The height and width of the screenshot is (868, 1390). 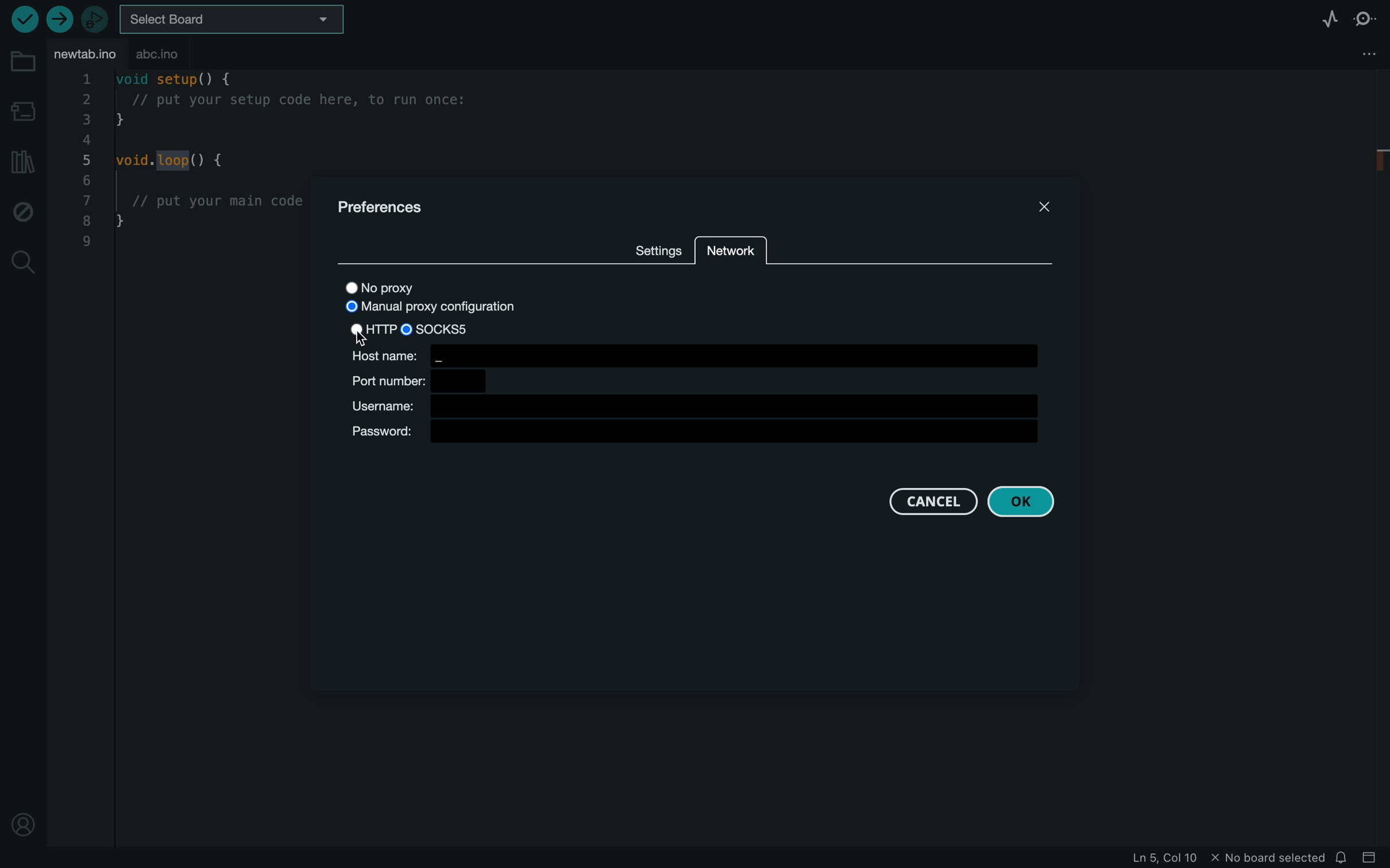 I want to click on abc, so click(x=184, y=55).